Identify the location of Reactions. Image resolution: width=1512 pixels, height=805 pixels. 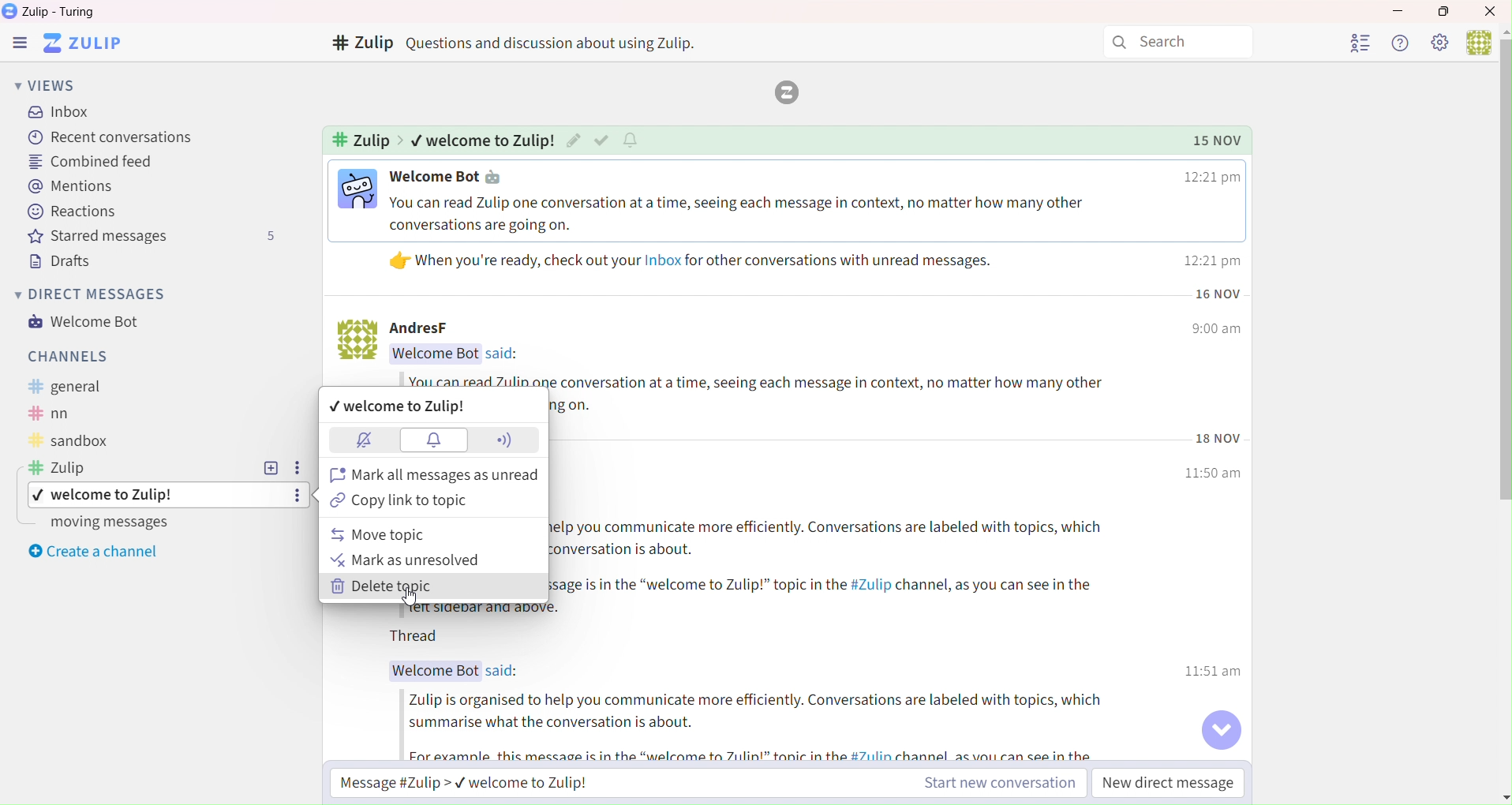
(74, 211).